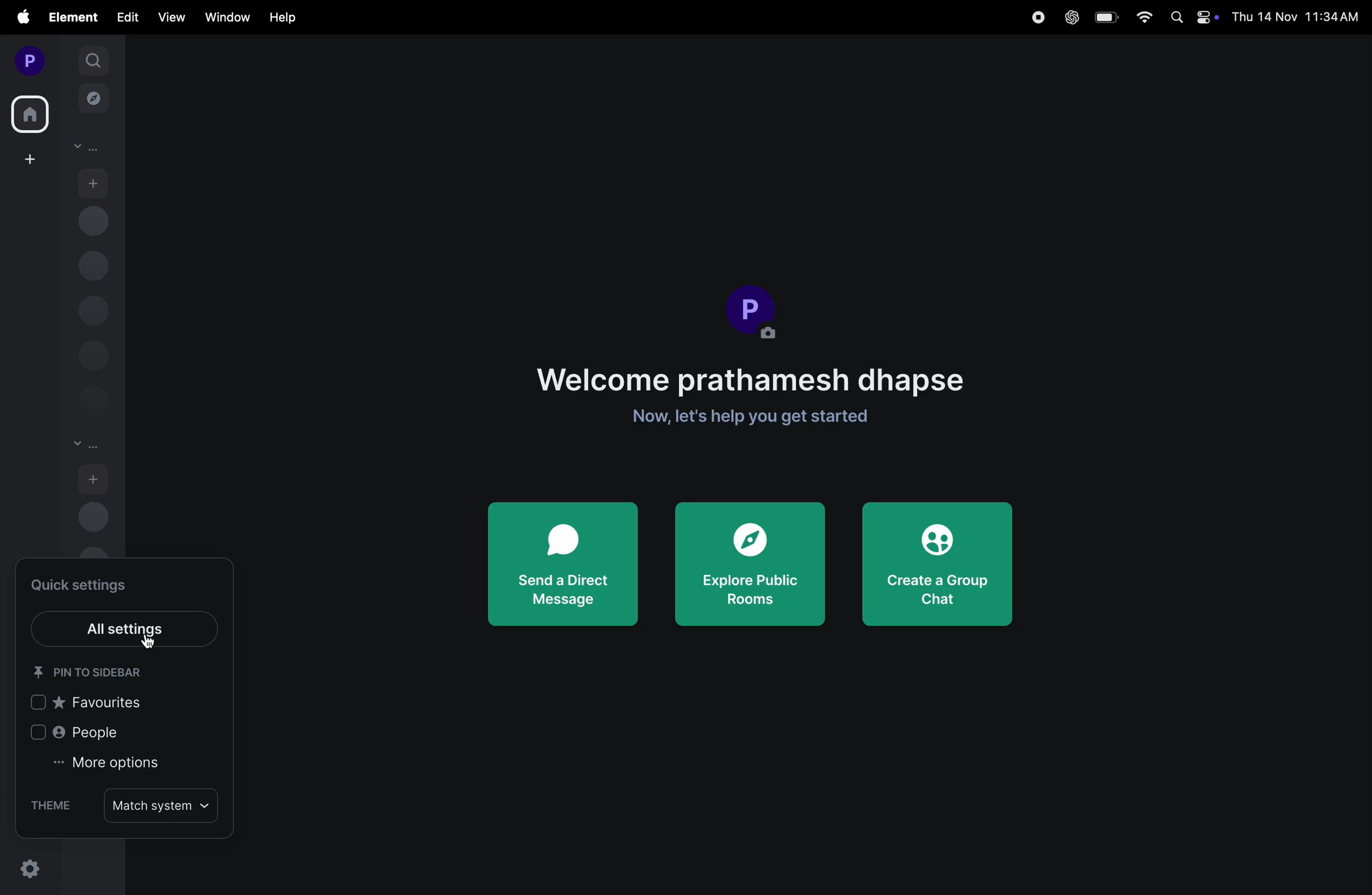 The height and width of the screenshot is (895, 1372). Describe the element at coordinates (126, 769) in the screenshot. I see `more options` at that location.